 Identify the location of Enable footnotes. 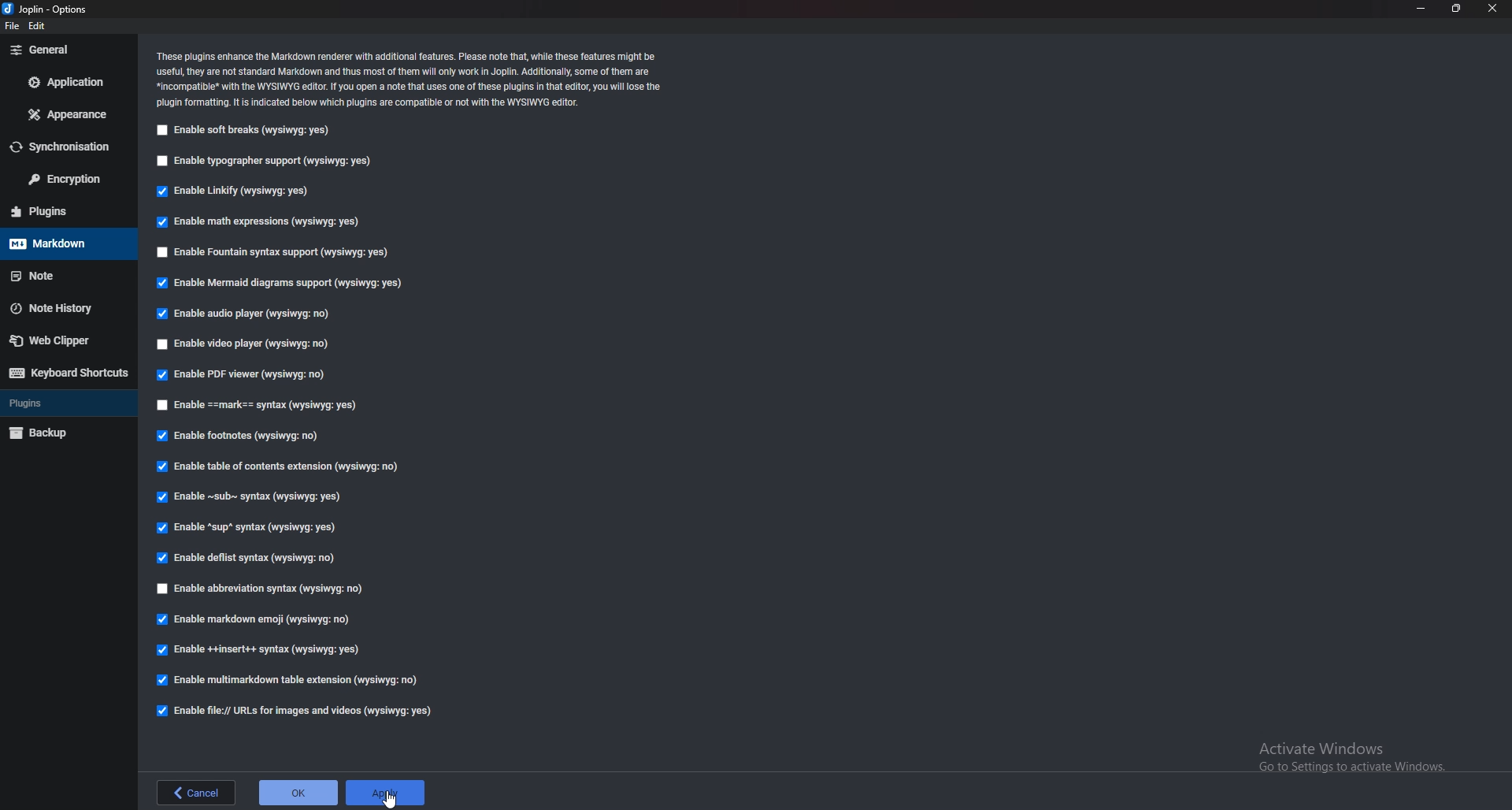
(243, 437).